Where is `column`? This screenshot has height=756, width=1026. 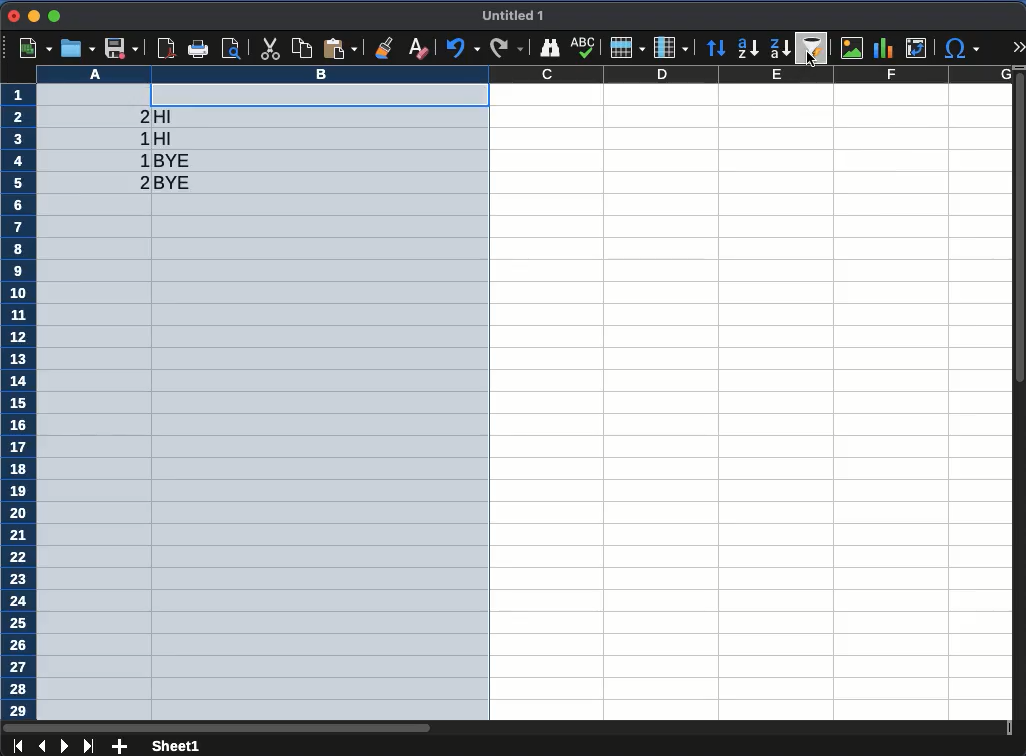 column is located at coordinates (523, 75).